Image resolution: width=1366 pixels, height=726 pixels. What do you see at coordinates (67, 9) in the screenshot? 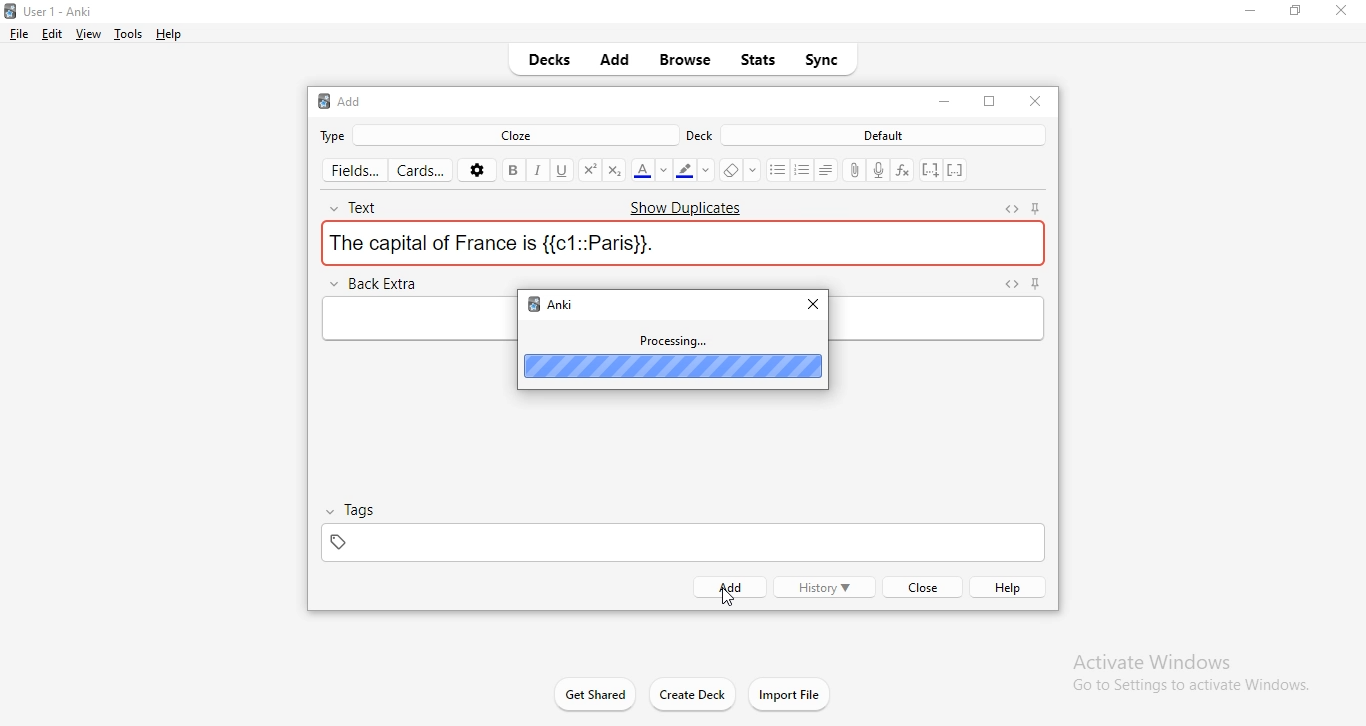
I see `Anki` at bounding box center [67, 9].